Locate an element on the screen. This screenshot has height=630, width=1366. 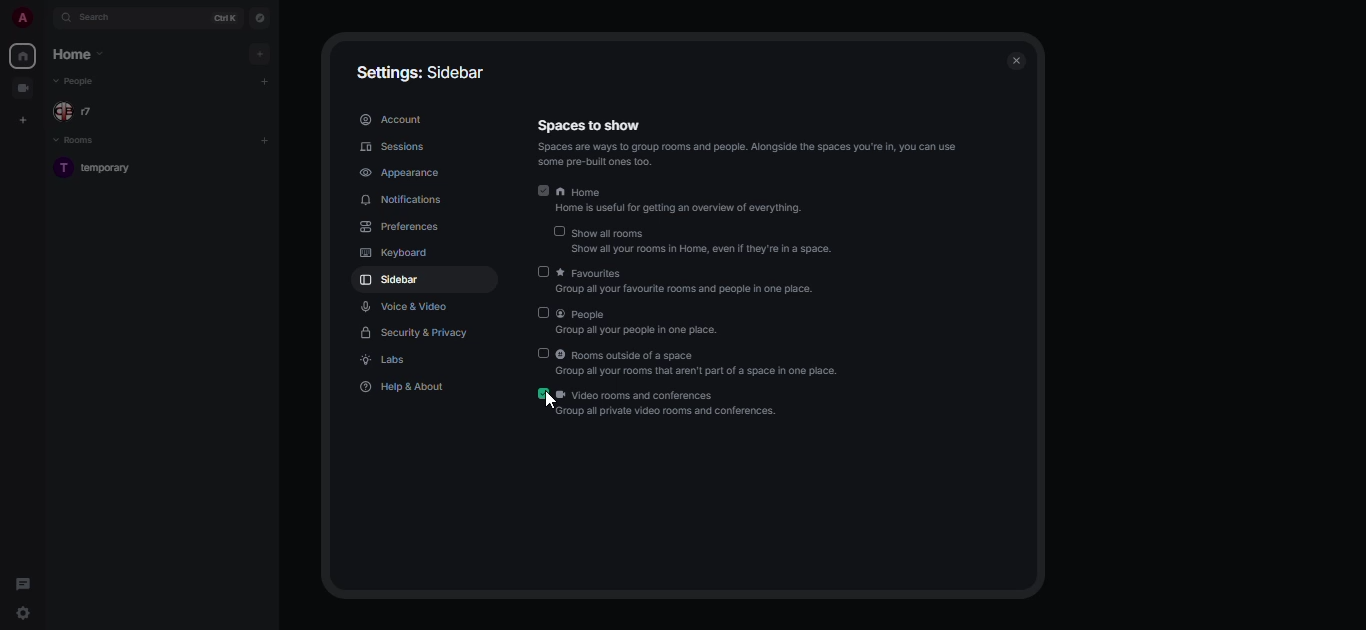
close is located at coordinates (1020, 59).